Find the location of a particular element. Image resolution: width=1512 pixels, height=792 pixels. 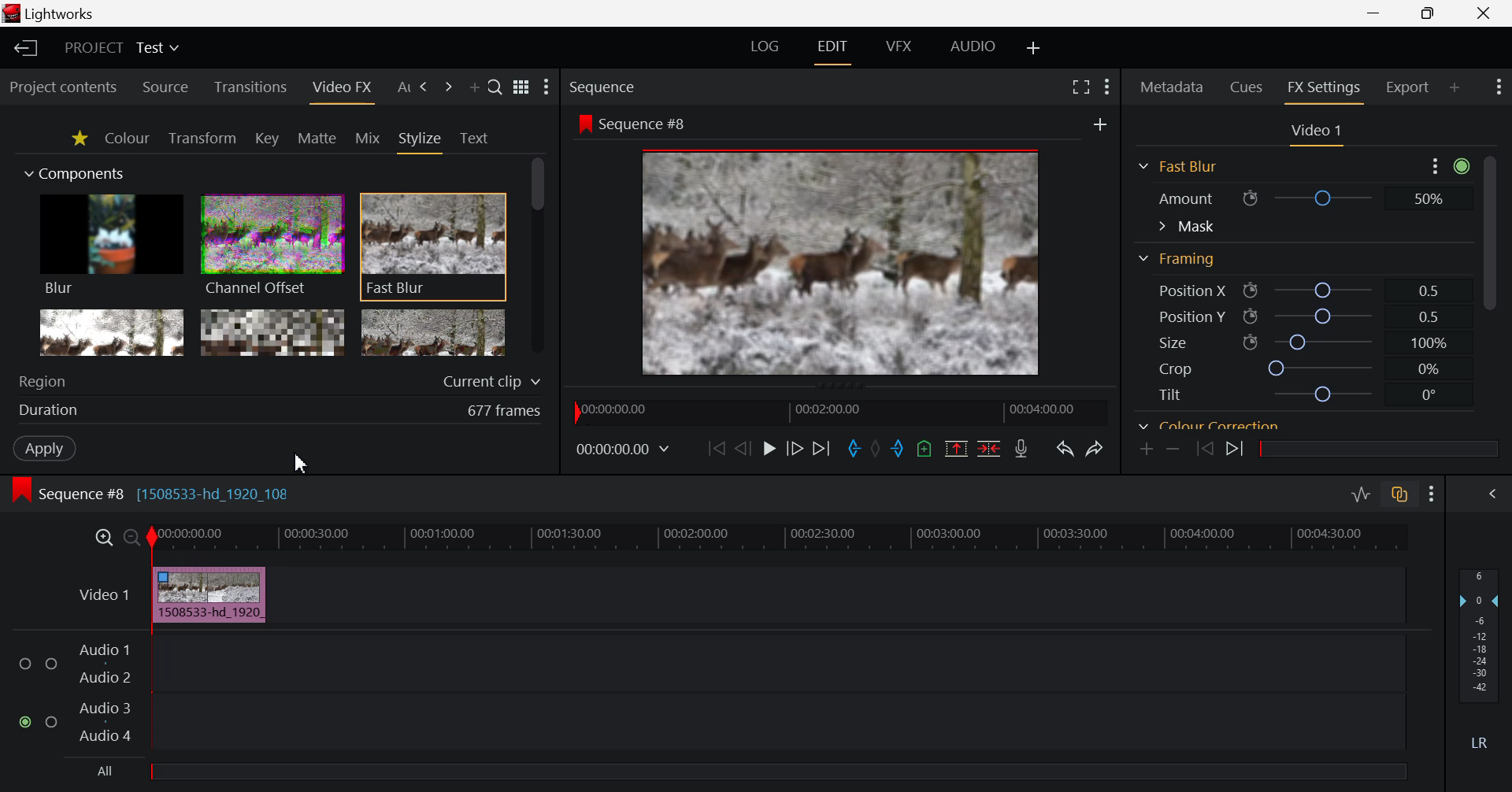

Project contents is located at coordinates (67, 89).